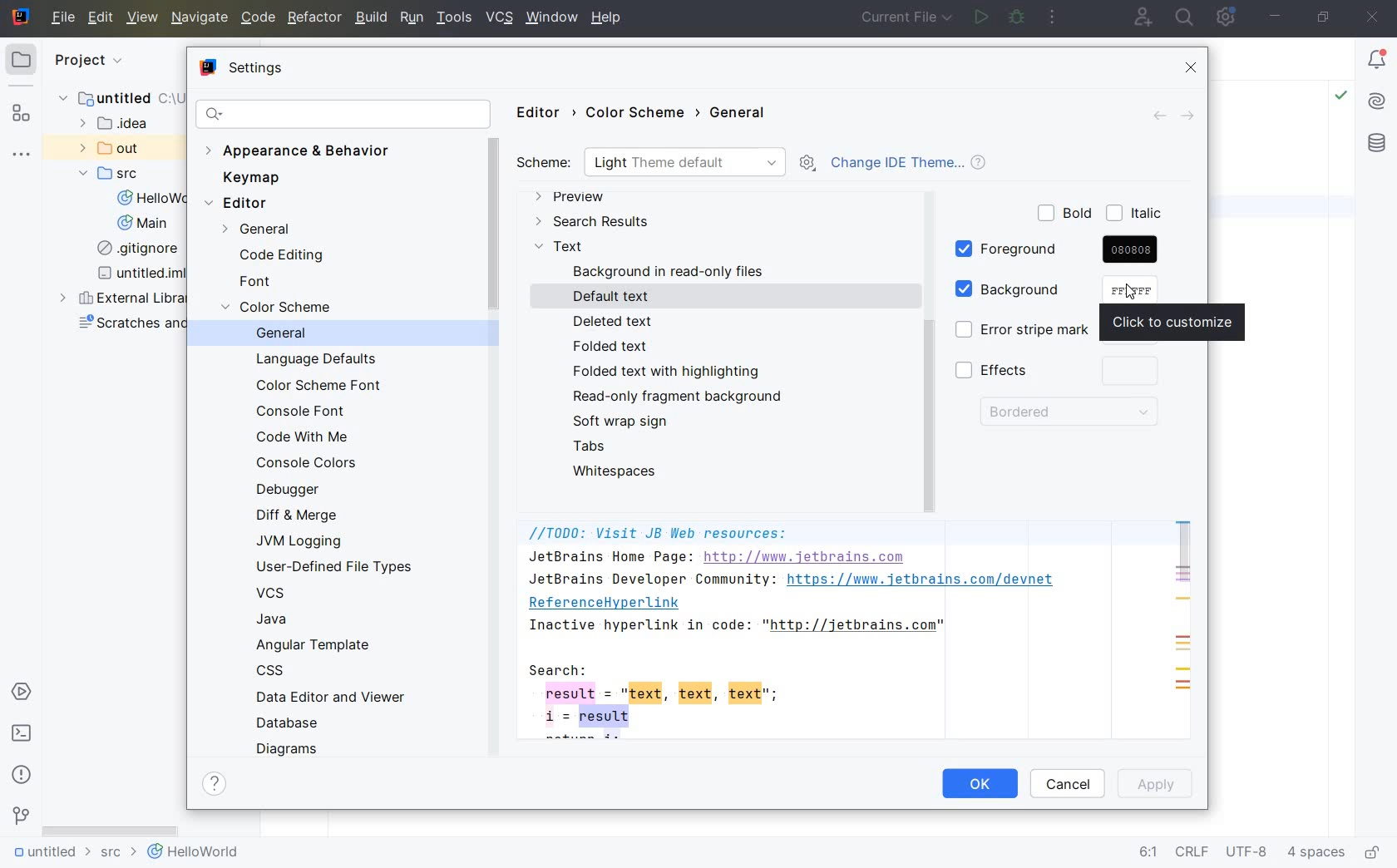  I want to click on debug, so click(1017, 17).